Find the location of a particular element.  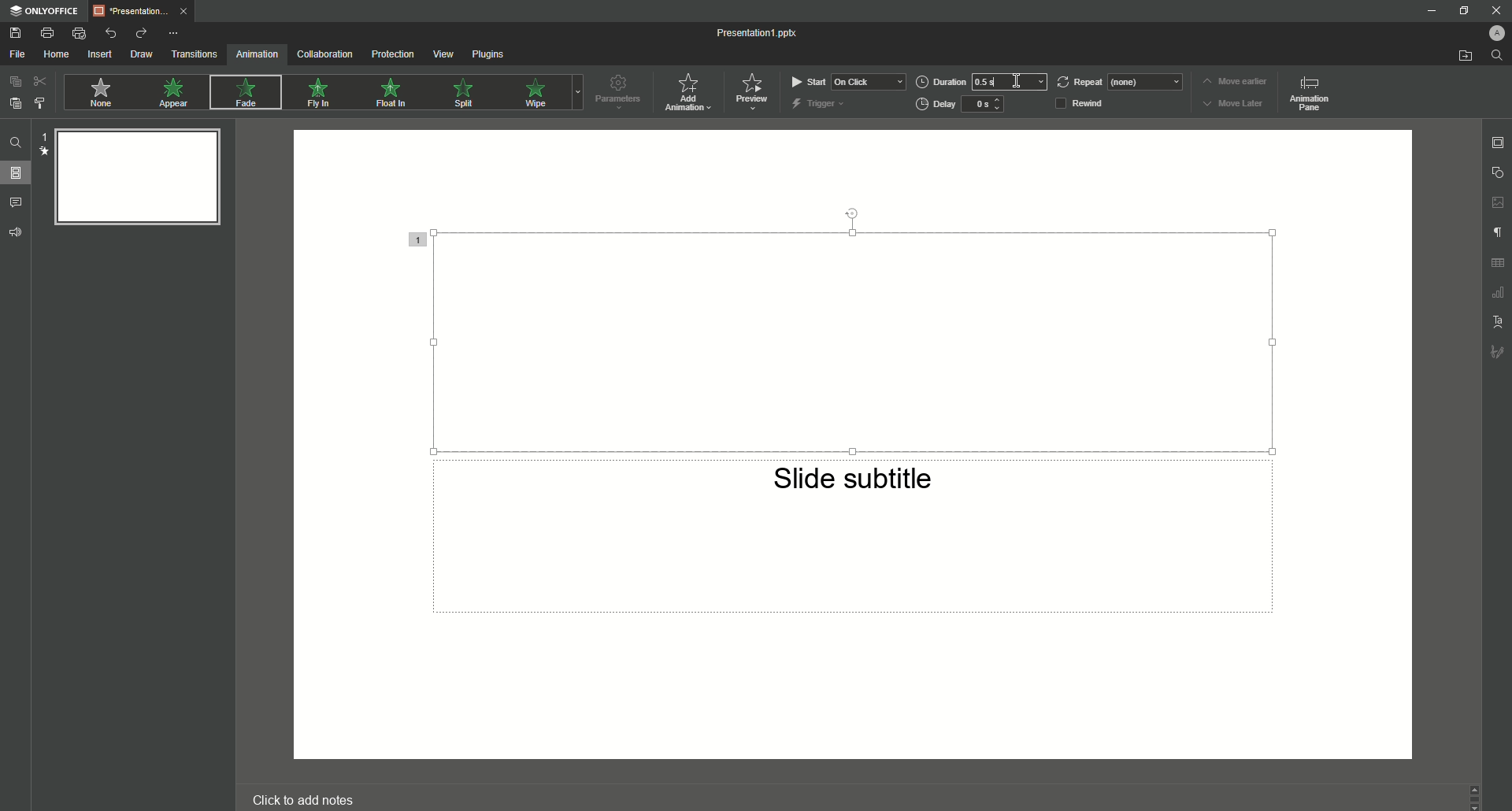

Slides is located at coordinates (17, 172).